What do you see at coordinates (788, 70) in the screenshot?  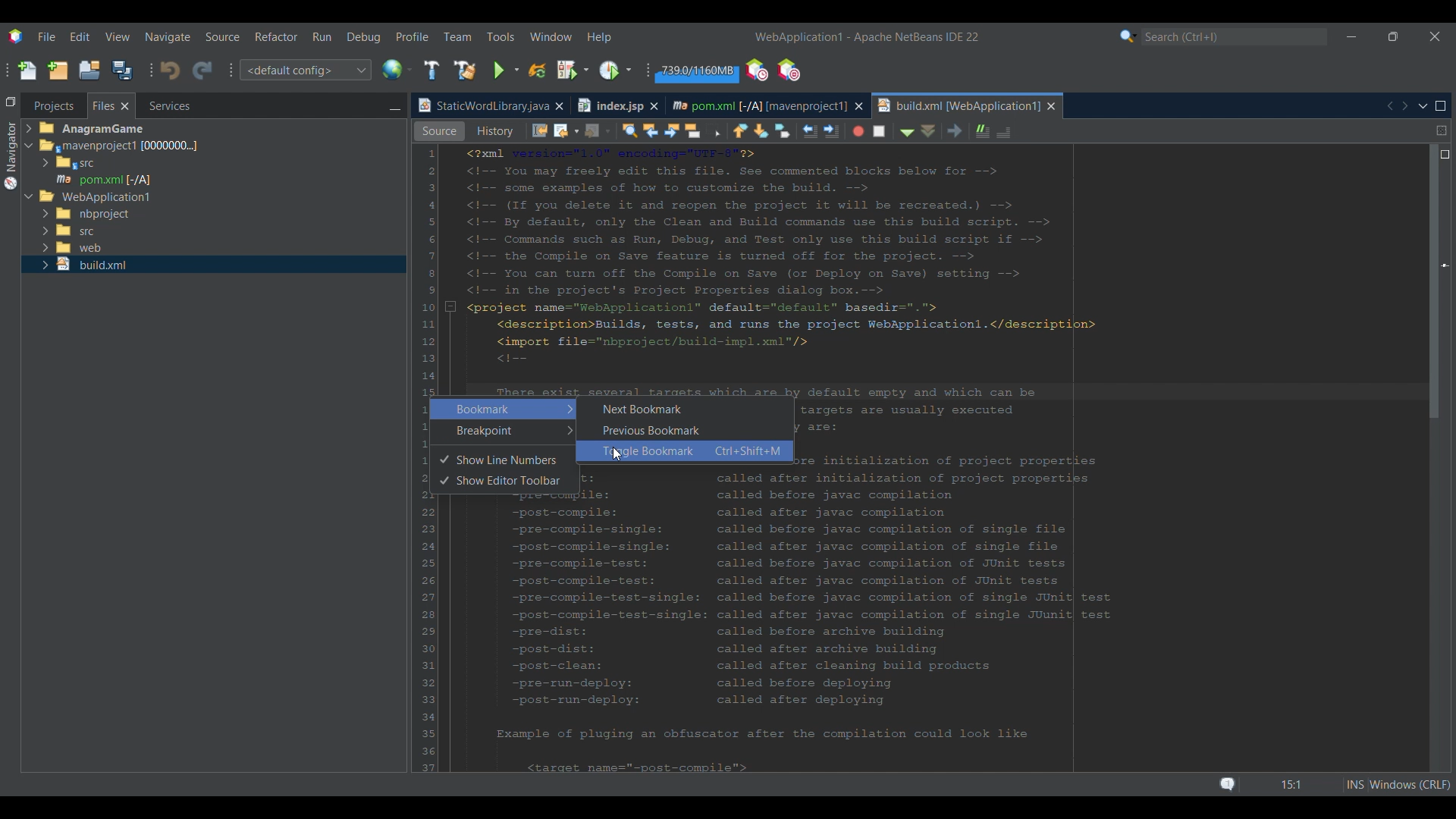 I see `Pause I/O checks` at bounding box center [788, 70].